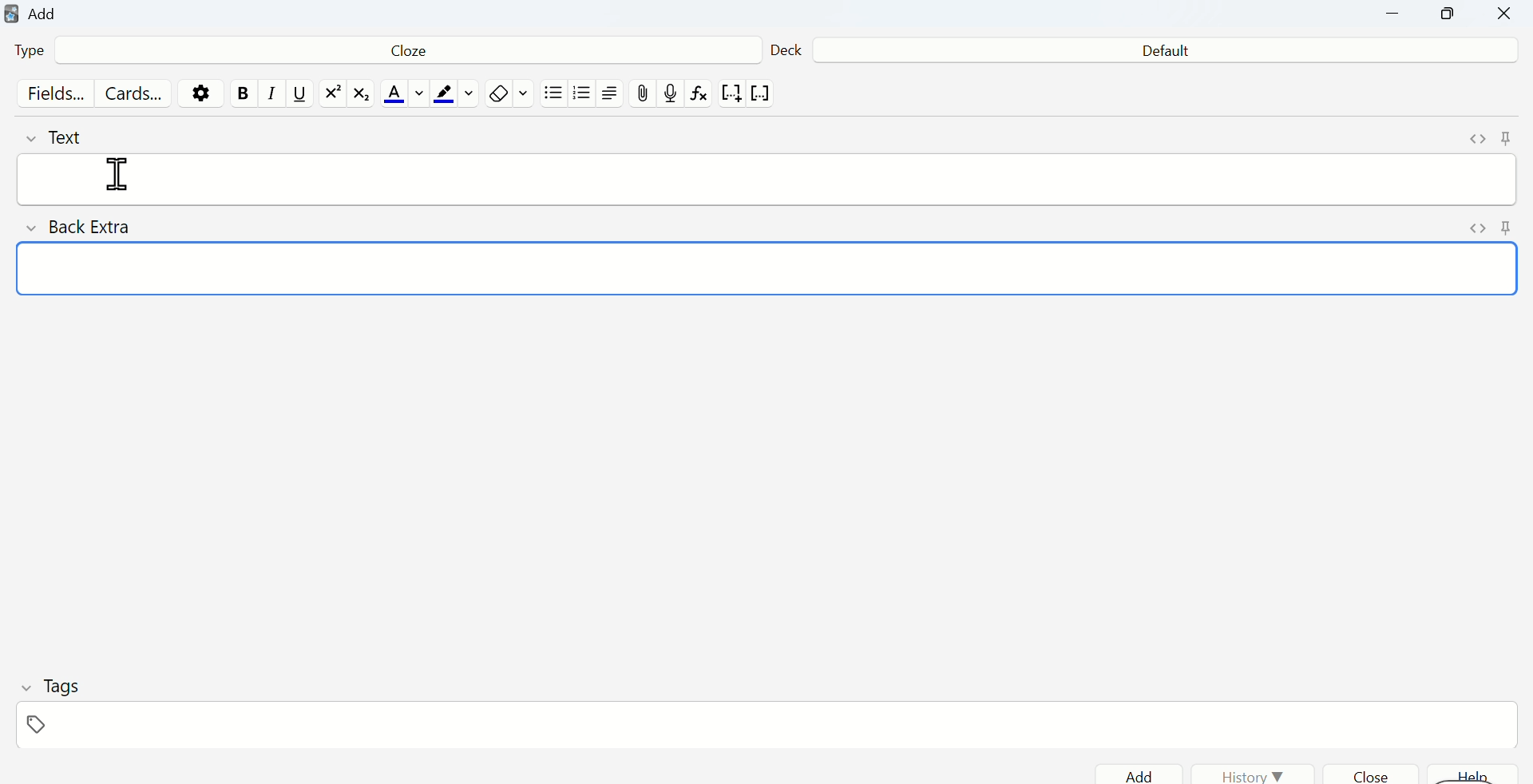 This screenshot has height=784, width=1533. What do you see at coordinates (1507, 228) in the screenshot?
I see `Pin` at bounding box center [1507, 228].